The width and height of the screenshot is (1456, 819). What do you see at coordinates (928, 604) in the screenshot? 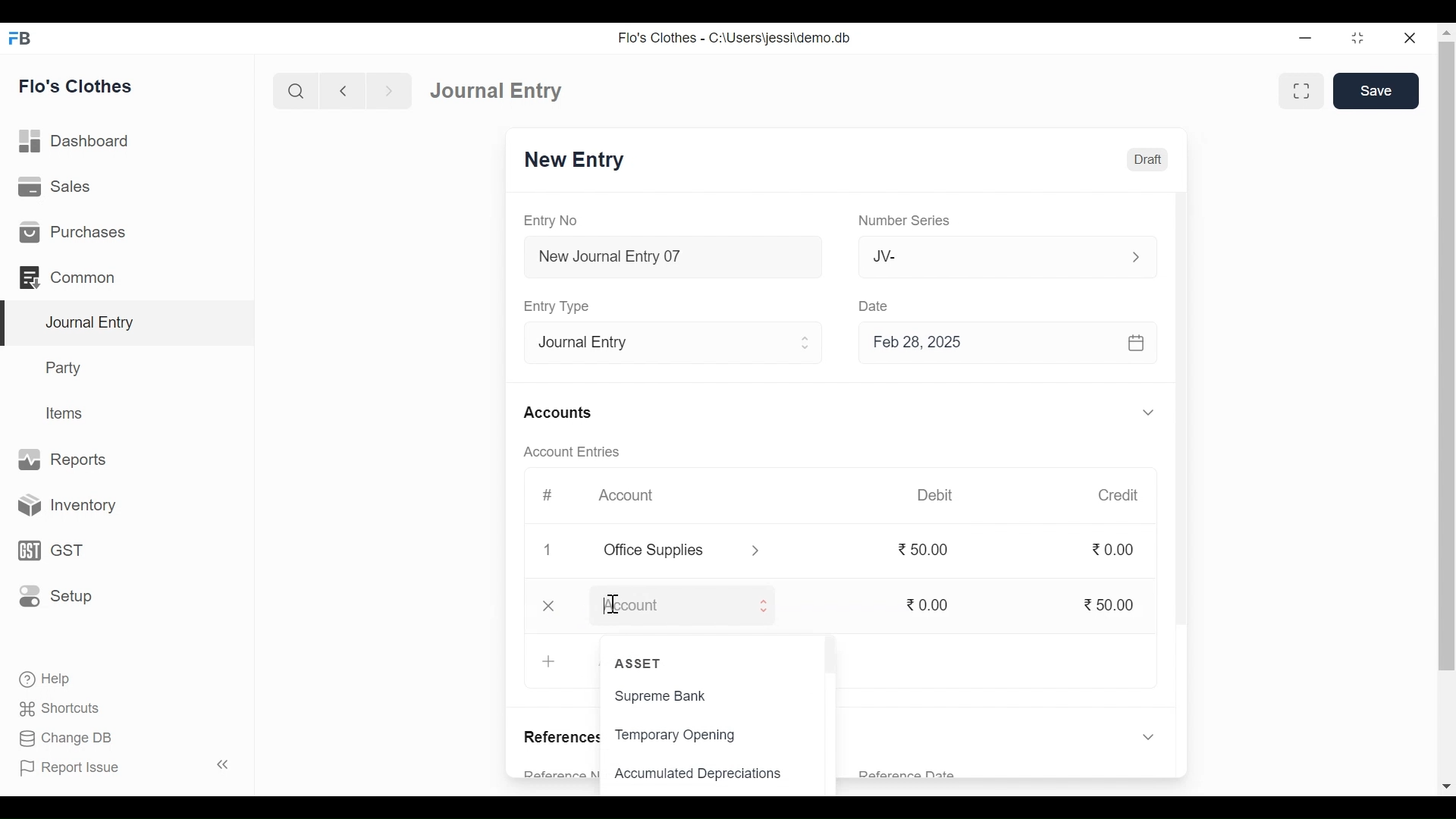
I see `0.00` at bounding box center [928, 604].